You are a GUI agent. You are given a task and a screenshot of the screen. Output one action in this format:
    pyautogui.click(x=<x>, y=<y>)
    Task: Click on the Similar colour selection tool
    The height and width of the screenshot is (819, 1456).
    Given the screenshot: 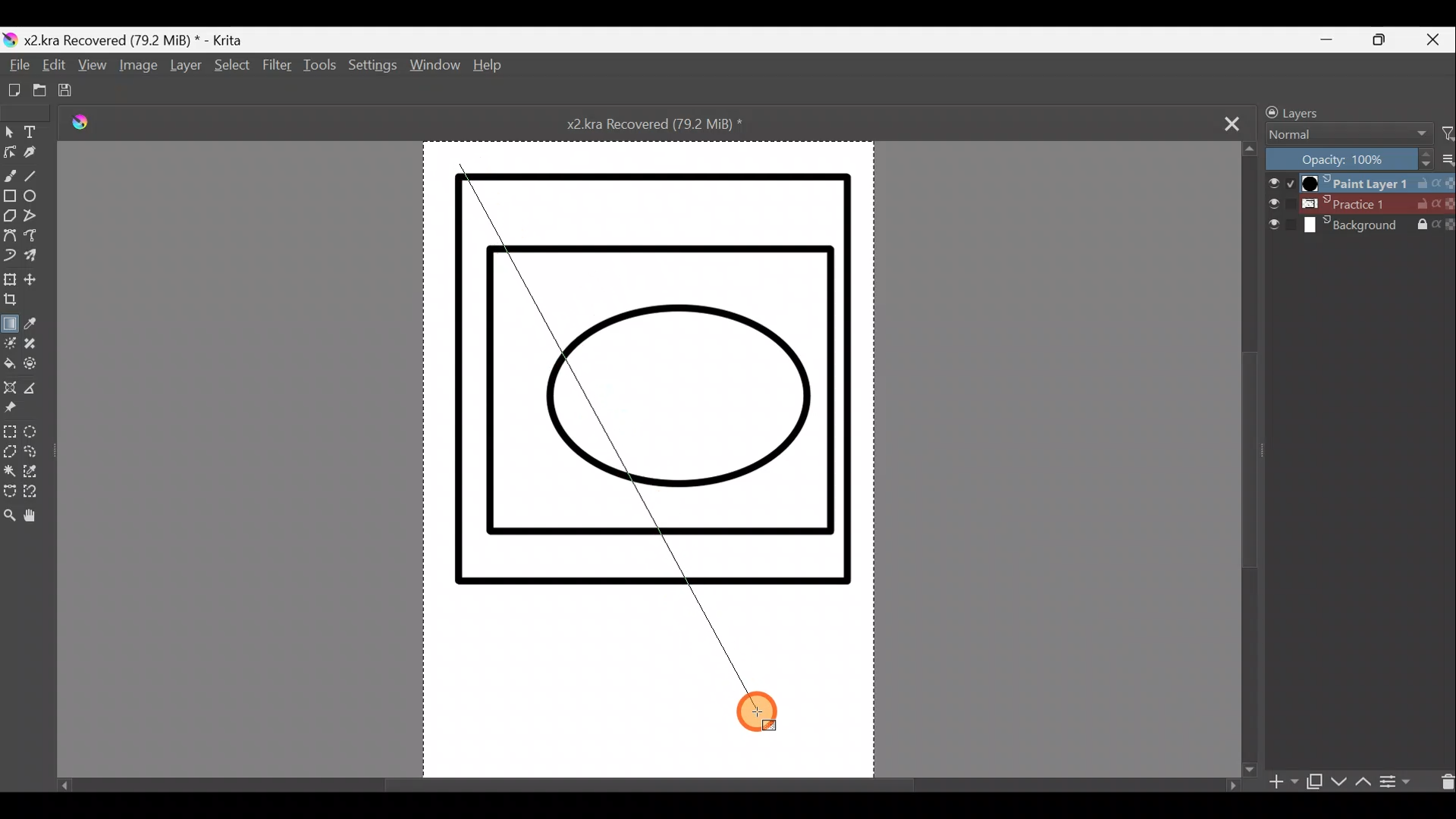 What is the action you would take?
    pyautogui.click(x=34, y=475)
    